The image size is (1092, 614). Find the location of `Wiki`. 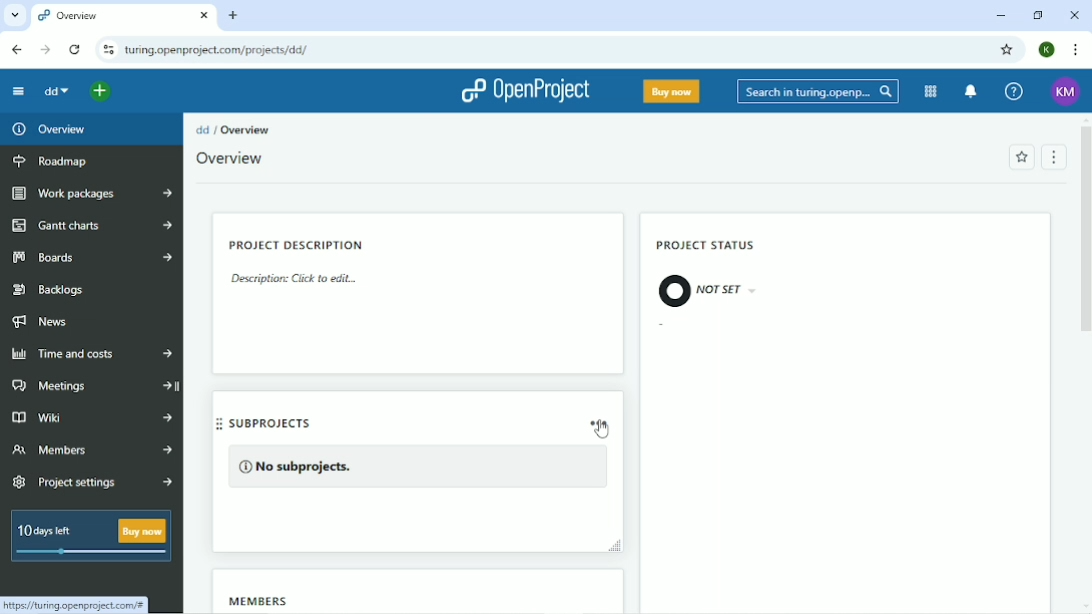

Wiki is located at coordinates (92, 416).